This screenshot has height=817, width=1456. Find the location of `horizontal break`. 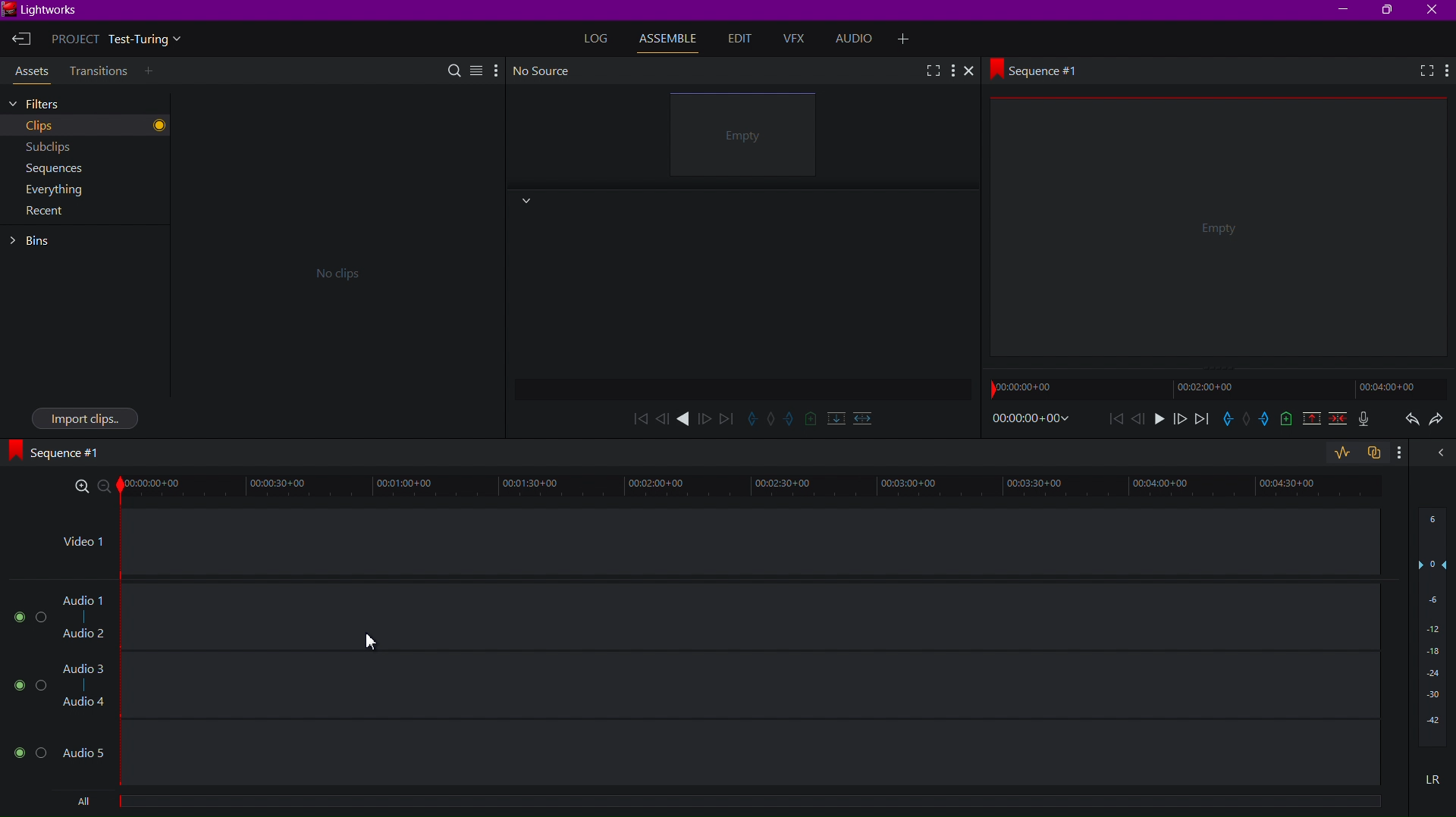

horizontal break is located at coordinates (859, 417).